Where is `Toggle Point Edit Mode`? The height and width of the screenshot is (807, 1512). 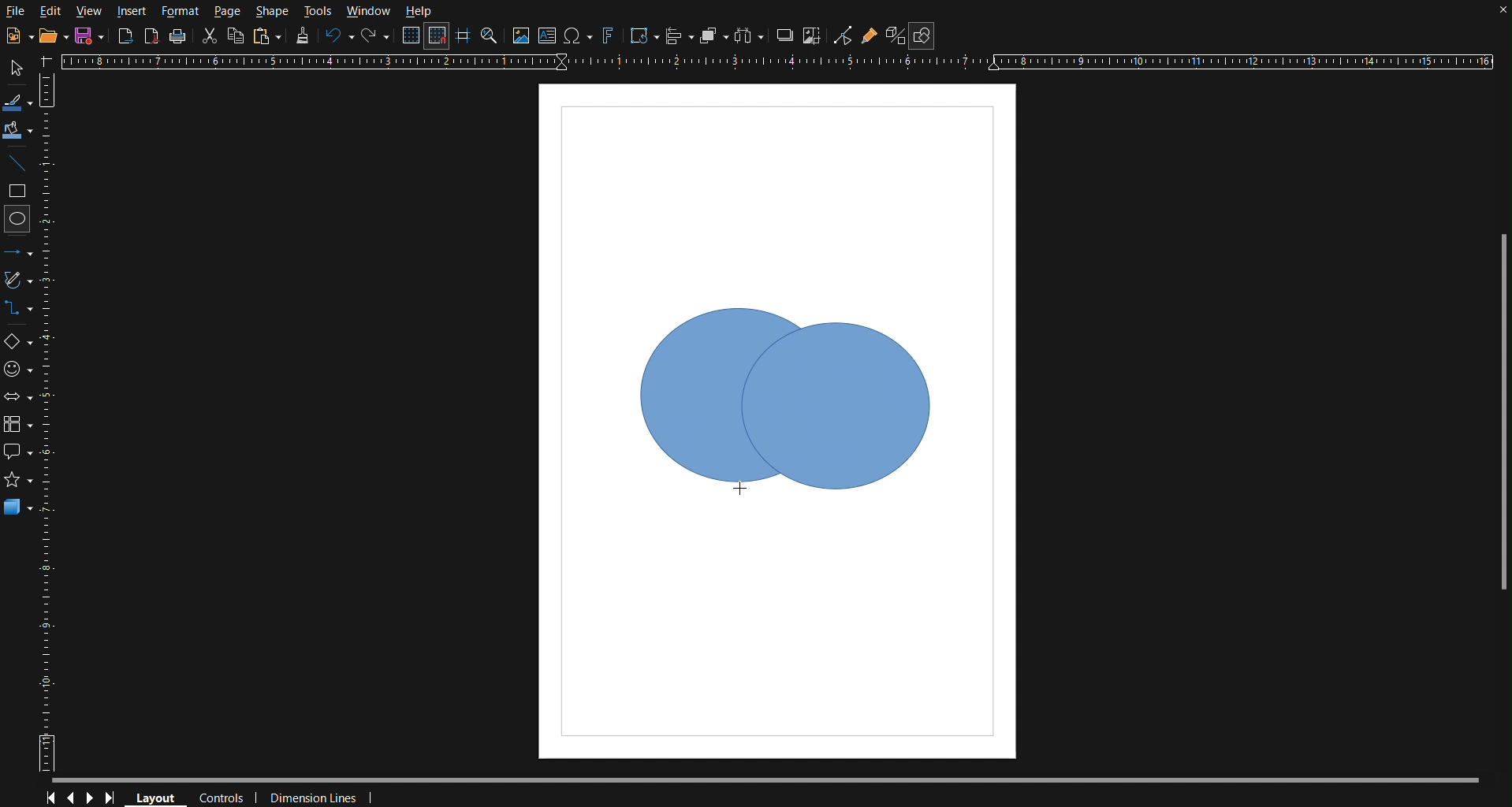
Toggle Point Edit Mode is located at coordinates (844, 37).